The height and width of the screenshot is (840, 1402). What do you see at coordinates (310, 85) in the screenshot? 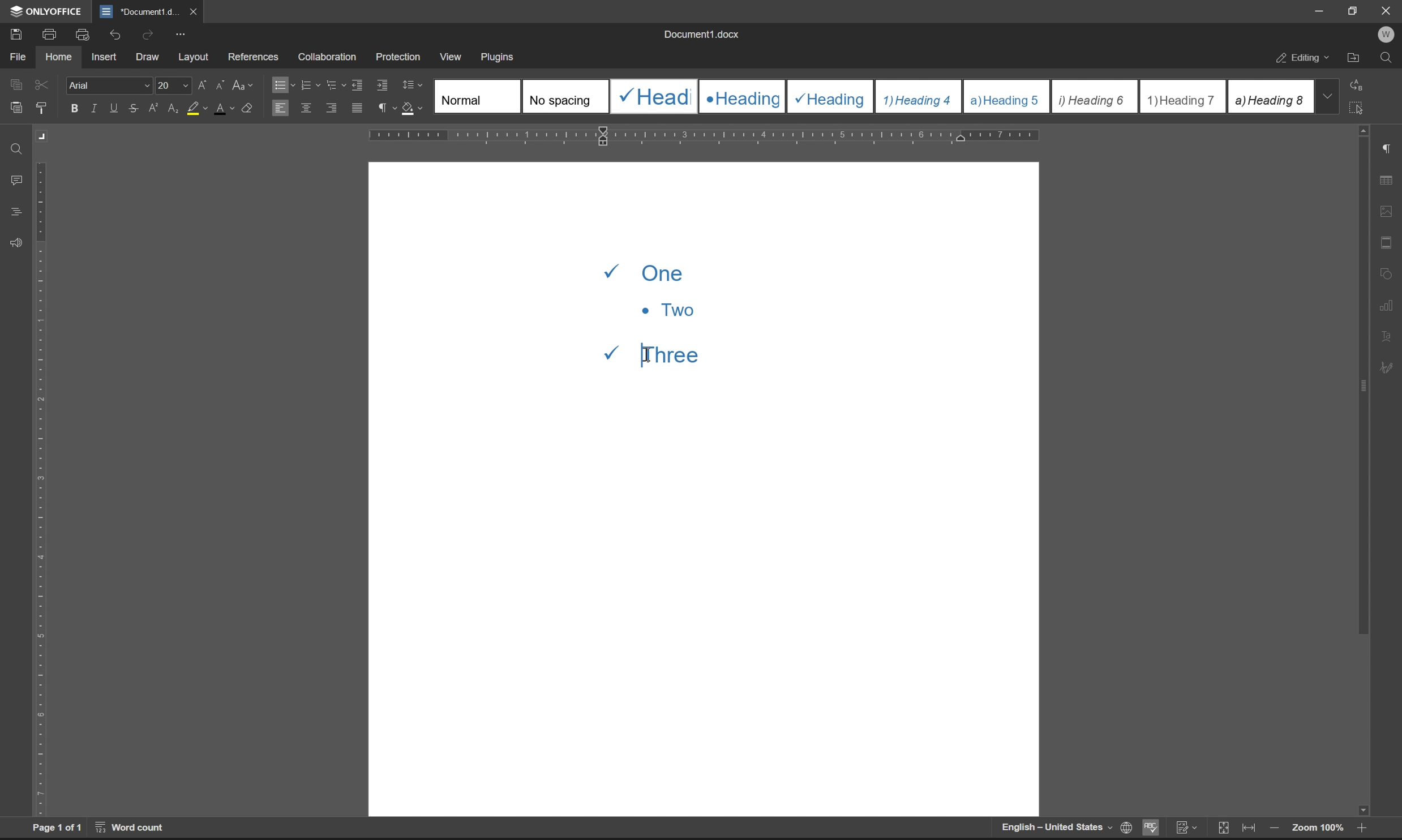
I see `numbering` at bounding box center [310, 85].